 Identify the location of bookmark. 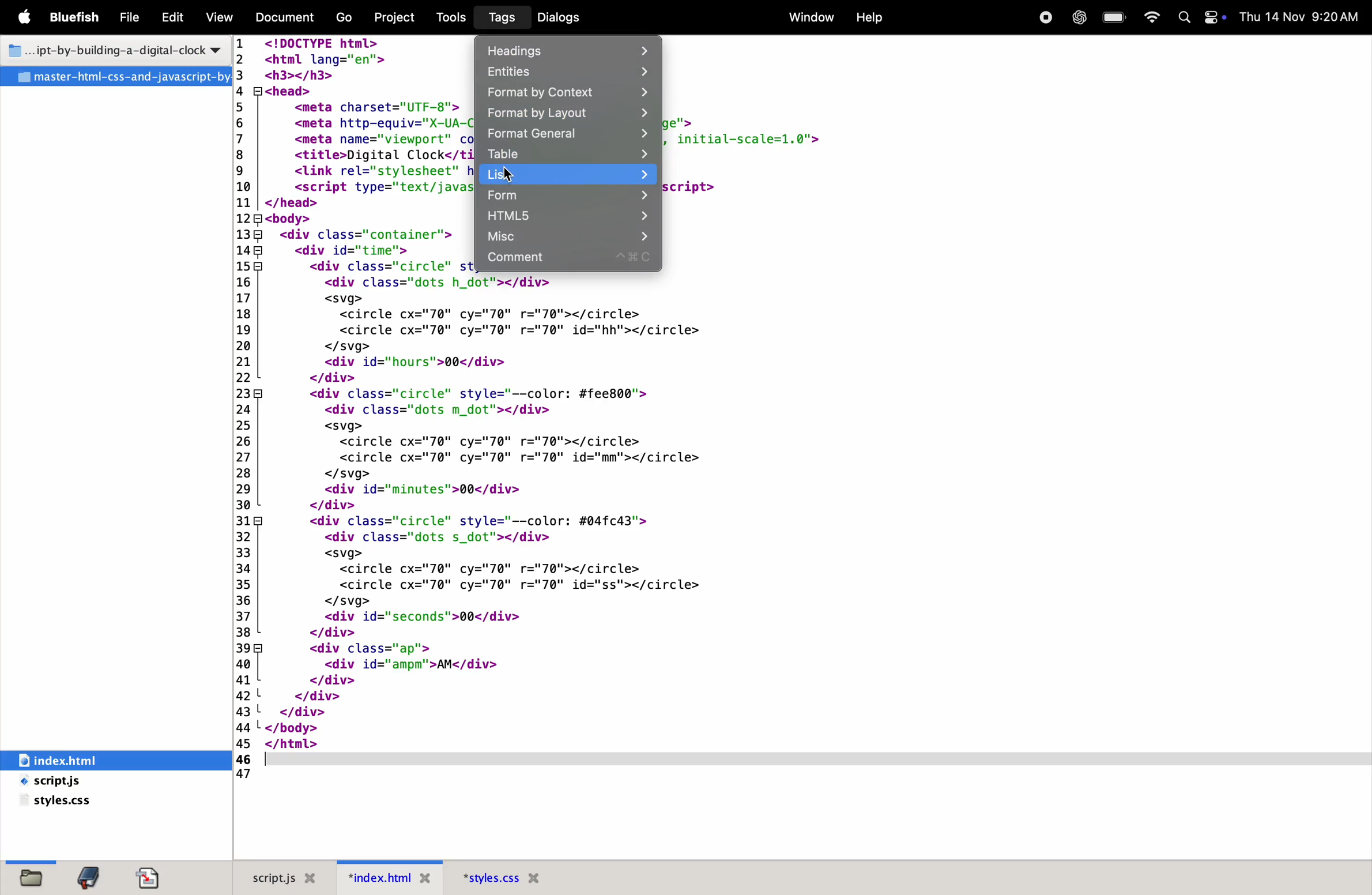
(90, 878).